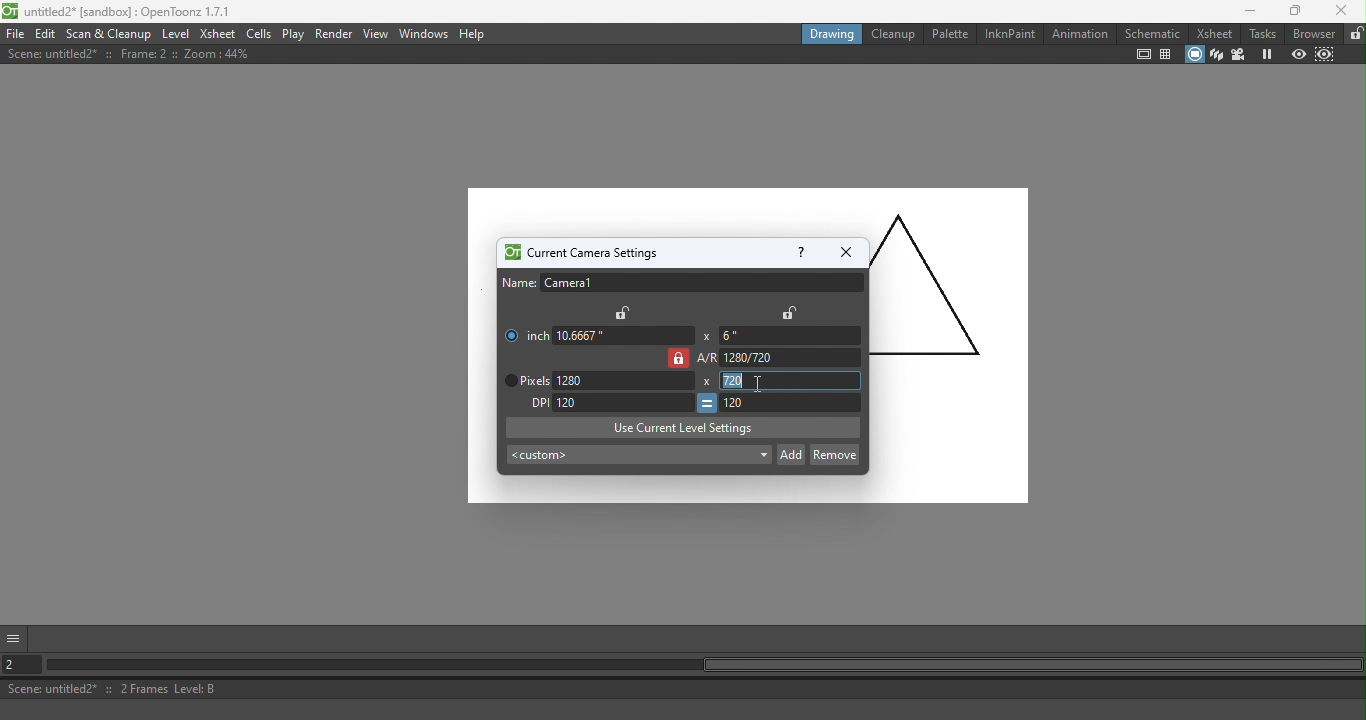 The height and width of the screenshot is (720, 1366). I want to click on Camera stand view, so click(1193, 55).